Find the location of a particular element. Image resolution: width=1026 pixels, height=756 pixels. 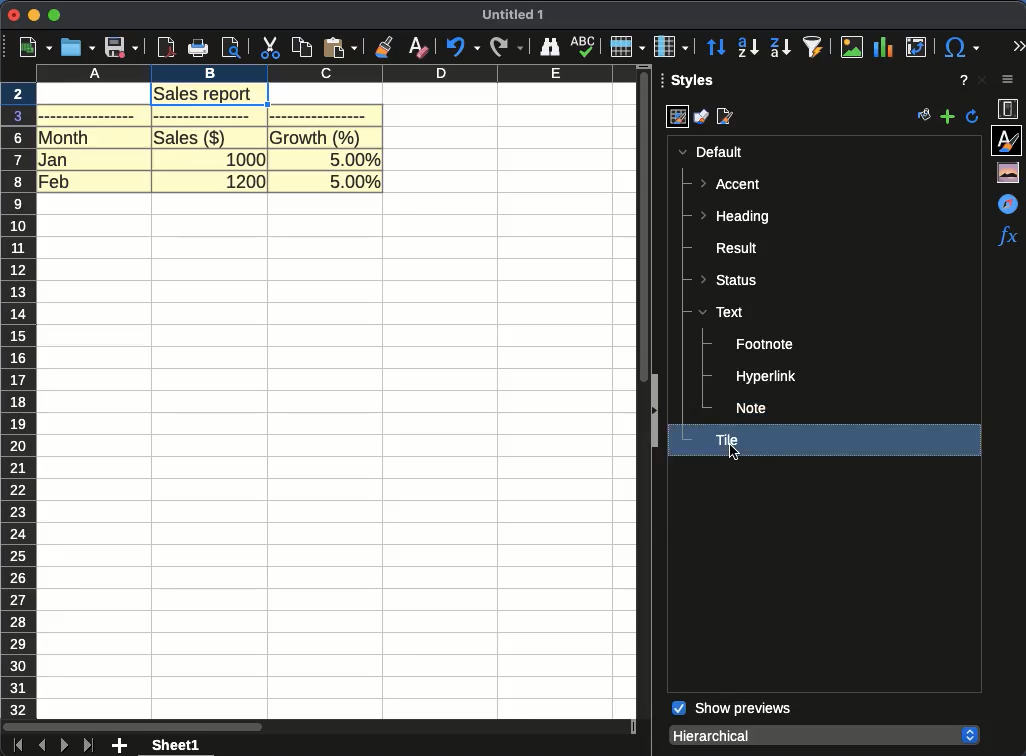

undo is located at coordinates (461, 47).